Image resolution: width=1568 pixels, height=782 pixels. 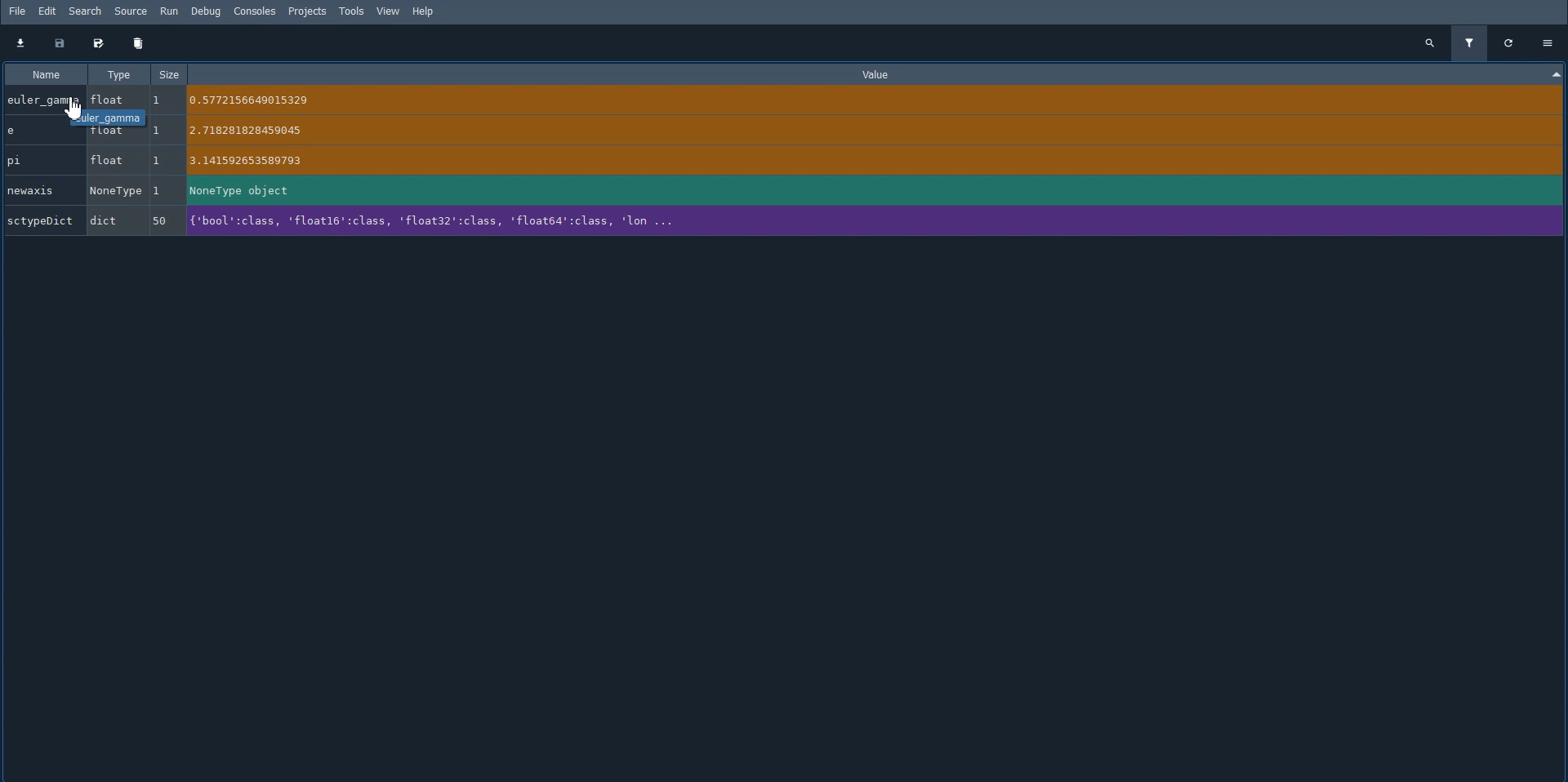 What do you see at coordinates (138, 44) in the screenshot?
I see `Remove all variables` at bounding box center [138, 44].